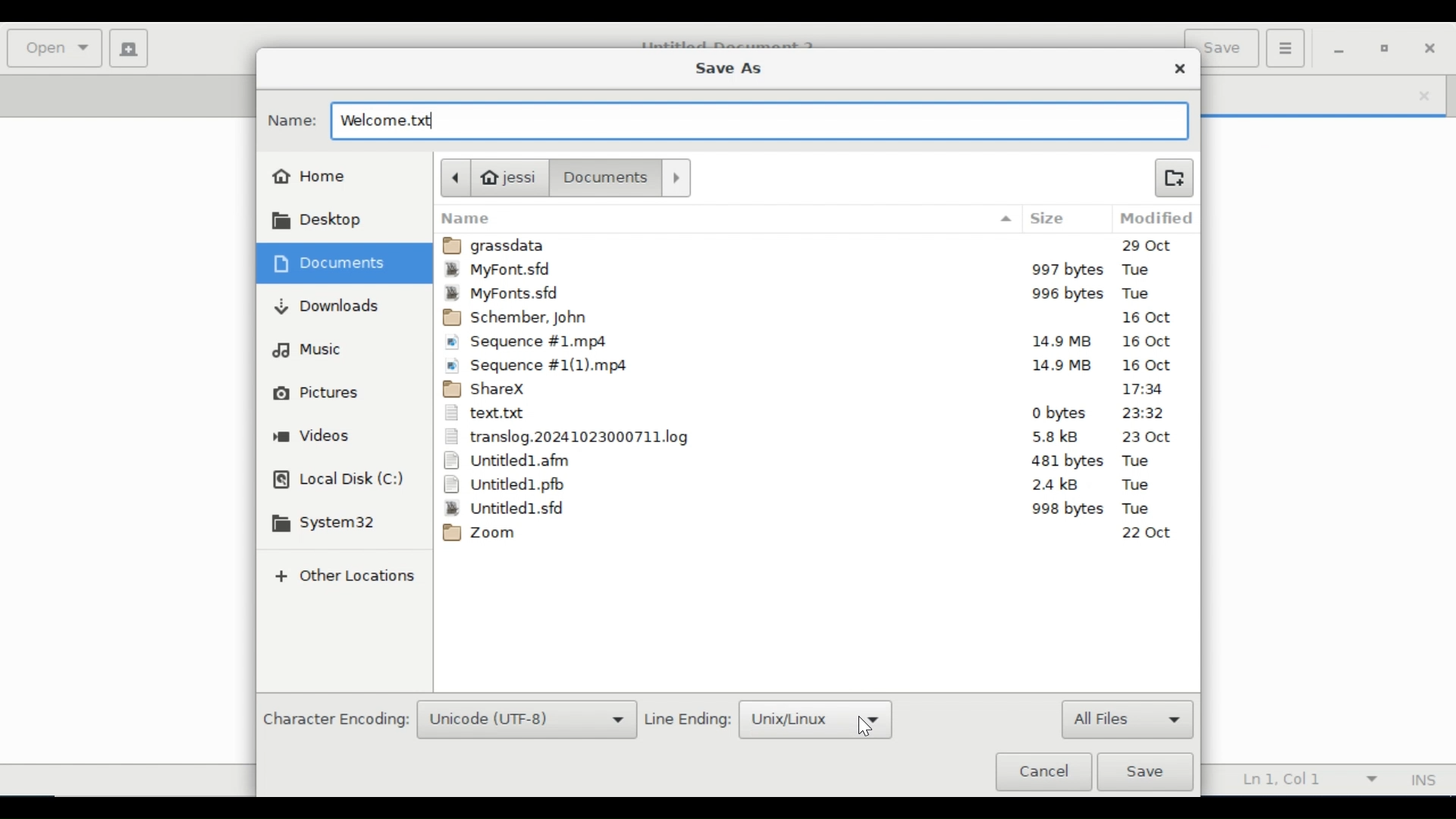 The image size is (1456, 819). I want to click on Insert Mode, so click(1423, 780).